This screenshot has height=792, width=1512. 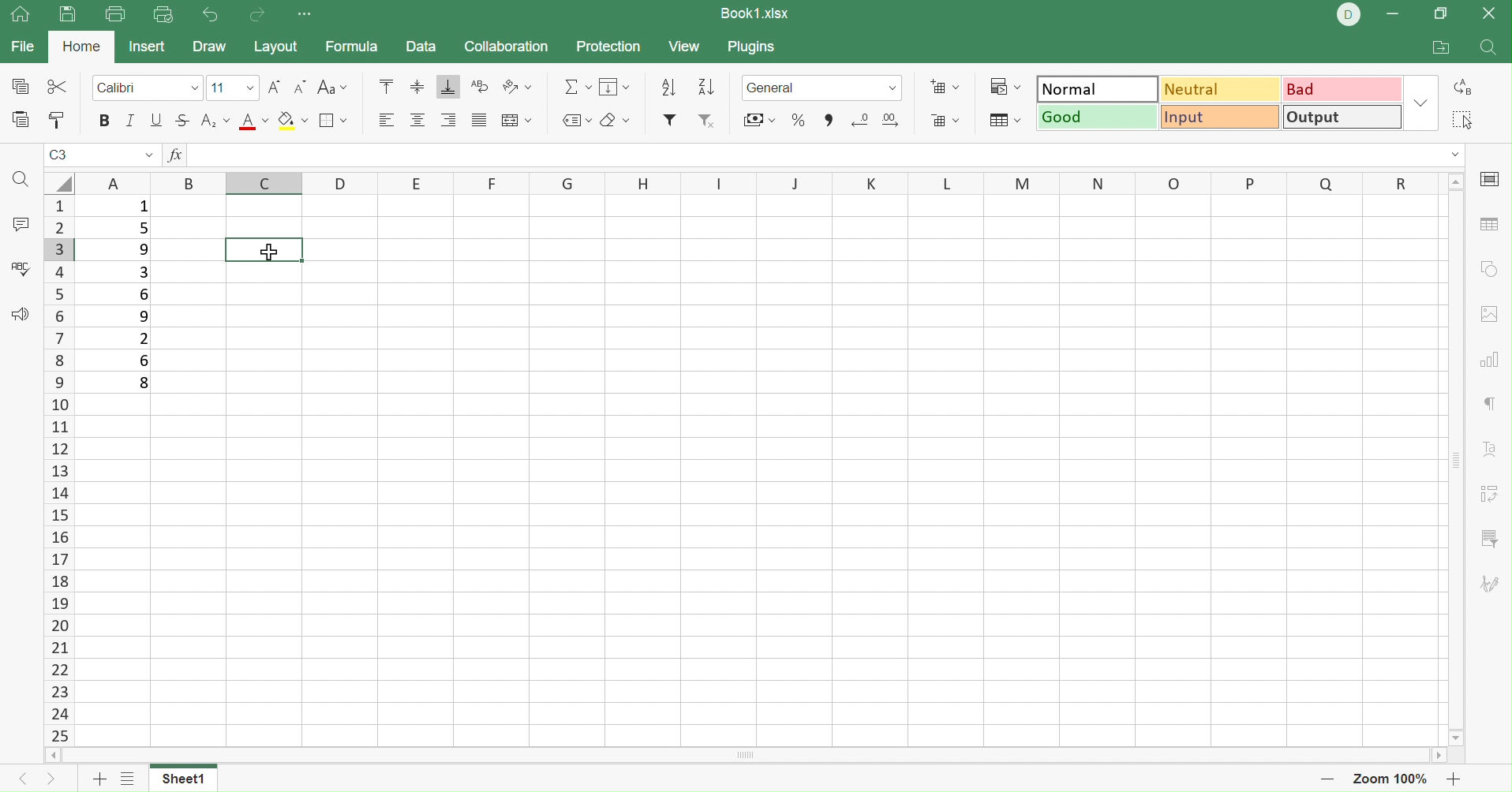 What do you see at coordinates (607, 47) in the screenshot?
I see `Protection` at bounding box center [607, 47].